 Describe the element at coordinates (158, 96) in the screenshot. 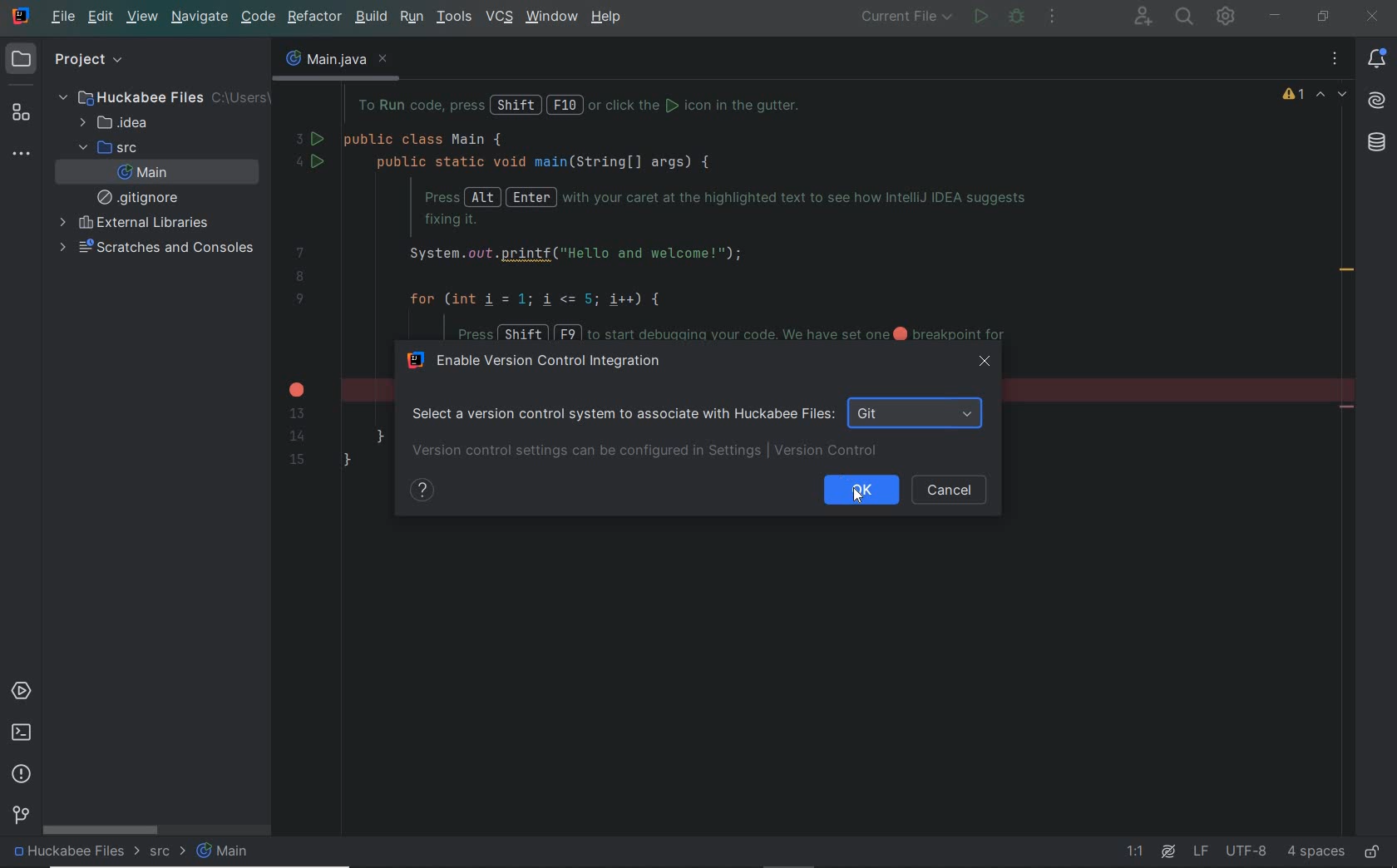

I see `Huckabee Files` at that location.